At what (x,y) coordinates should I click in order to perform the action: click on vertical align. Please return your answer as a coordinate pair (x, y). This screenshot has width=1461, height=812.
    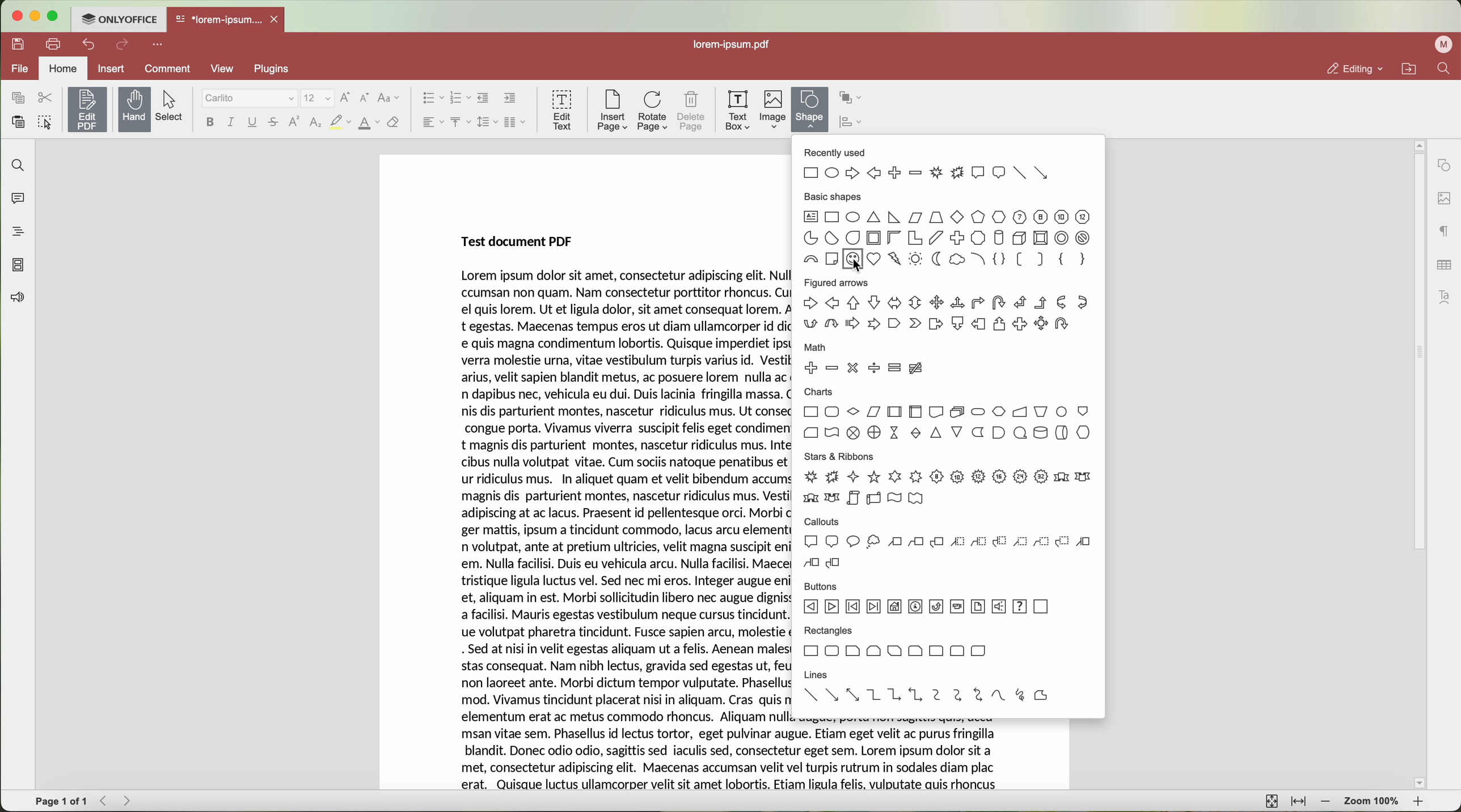
    Looking at the image, I should click on (458, 122).